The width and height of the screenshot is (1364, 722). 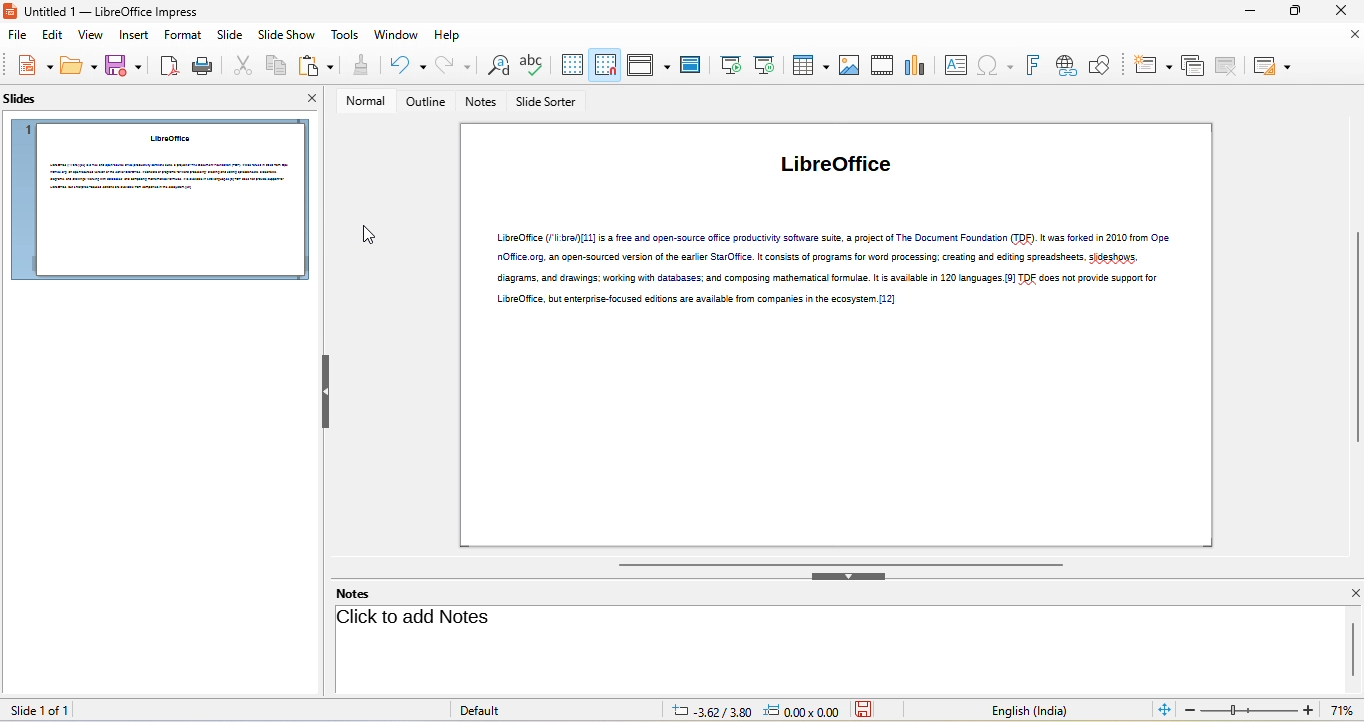 I want to click on window, so click(x=395, y=35).